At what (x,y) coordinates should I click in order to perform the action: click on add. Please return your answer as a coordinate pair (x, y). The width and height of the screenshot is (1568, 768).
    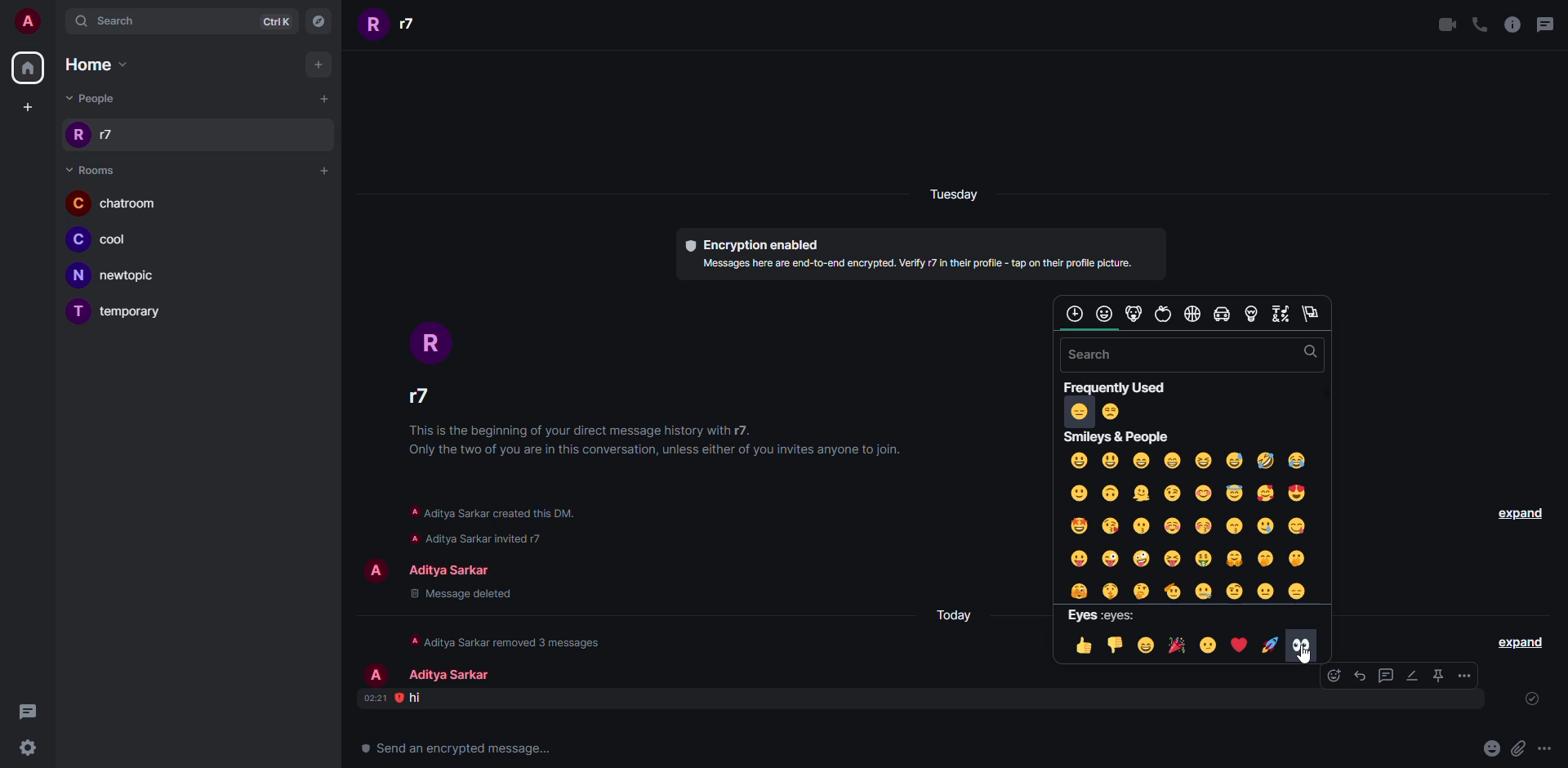
    Looking at the image, I should click on (322, 100).